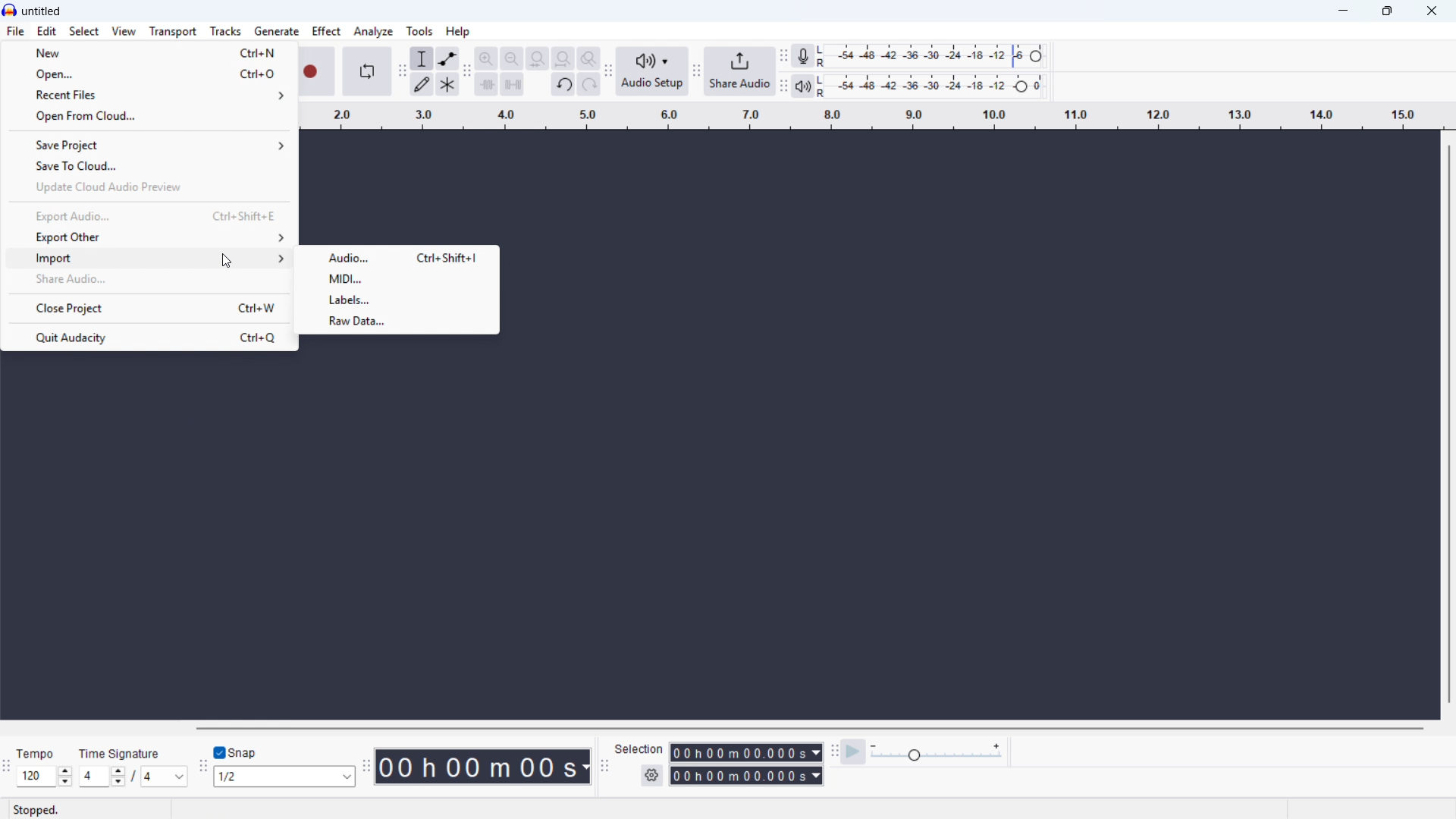  What do you see at coordinates (747, 753) in the screenshot?
I see `Selection start time ` at bounding box center [747, 753].